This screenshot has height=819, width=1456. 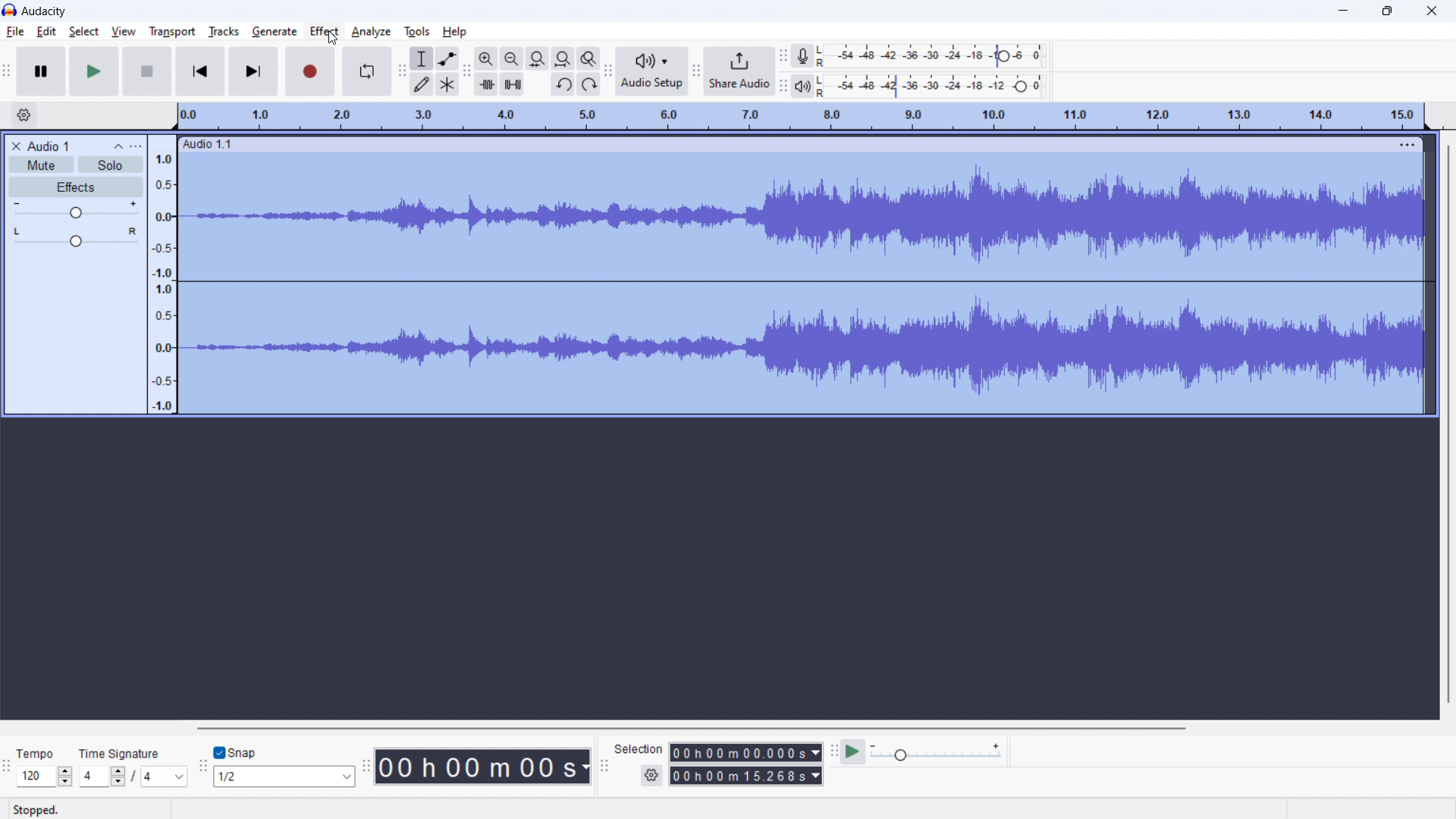 What do you see at coordinates (745, 748) in the screenshot?
I see `00h00m00.000s (start time)` at bounding box center [745, 748].